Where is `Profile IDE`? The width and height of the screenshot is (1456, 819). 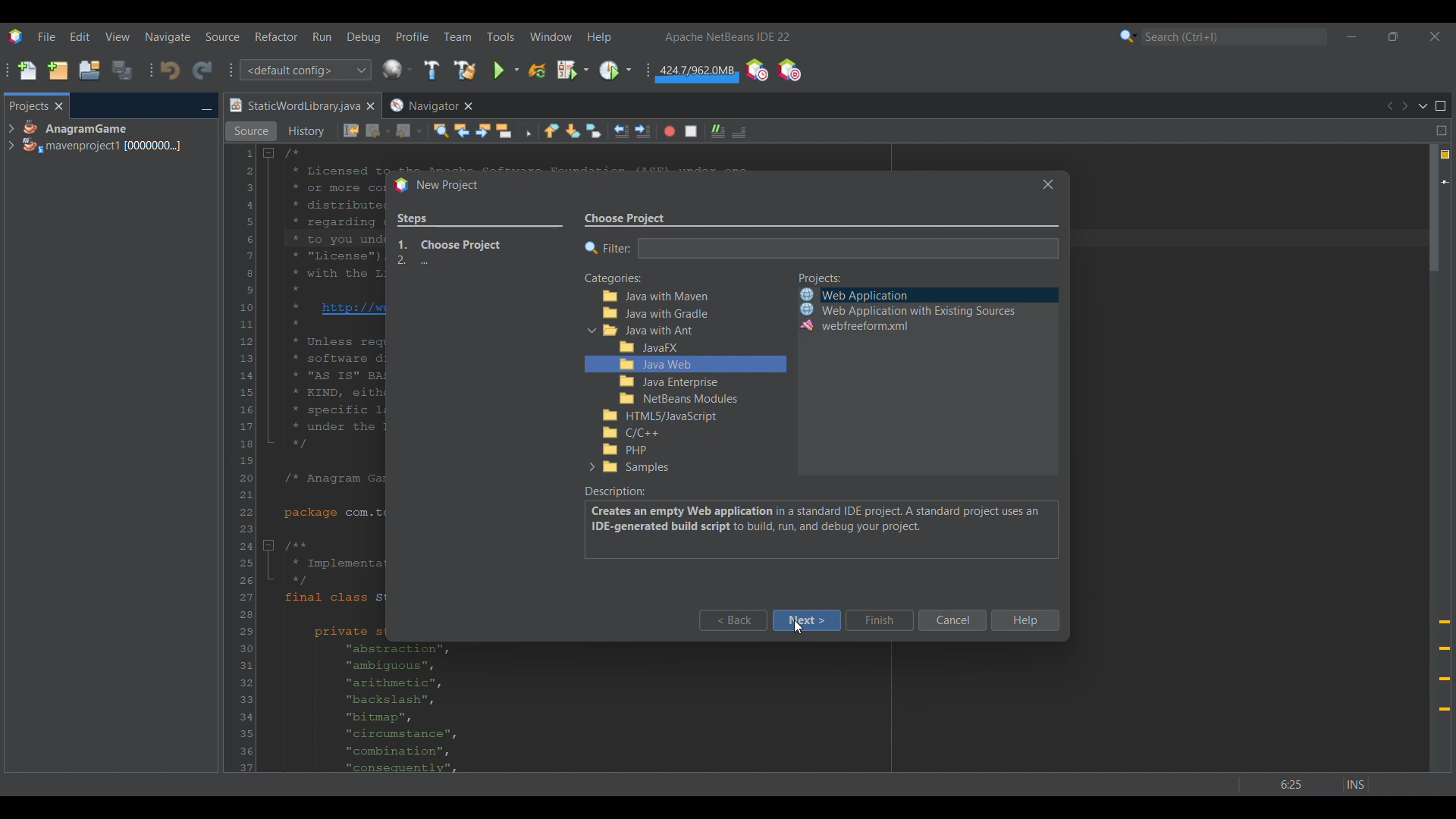 Profile IDE is located at coordinates (756, 71).